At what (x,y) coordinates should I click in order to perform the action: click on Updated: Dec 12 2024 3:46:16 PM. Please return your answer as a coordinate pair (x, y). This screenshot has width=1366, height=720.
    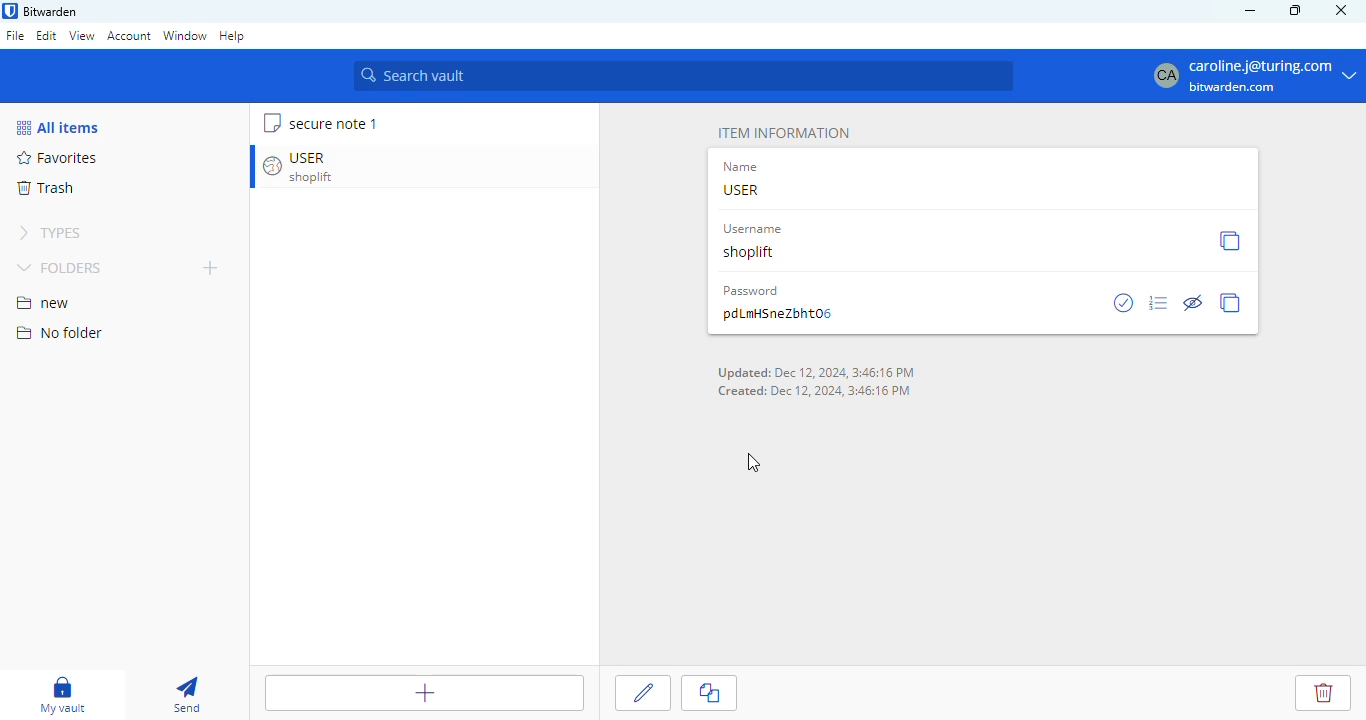
    Looking at the image, I should click on (816, 373).